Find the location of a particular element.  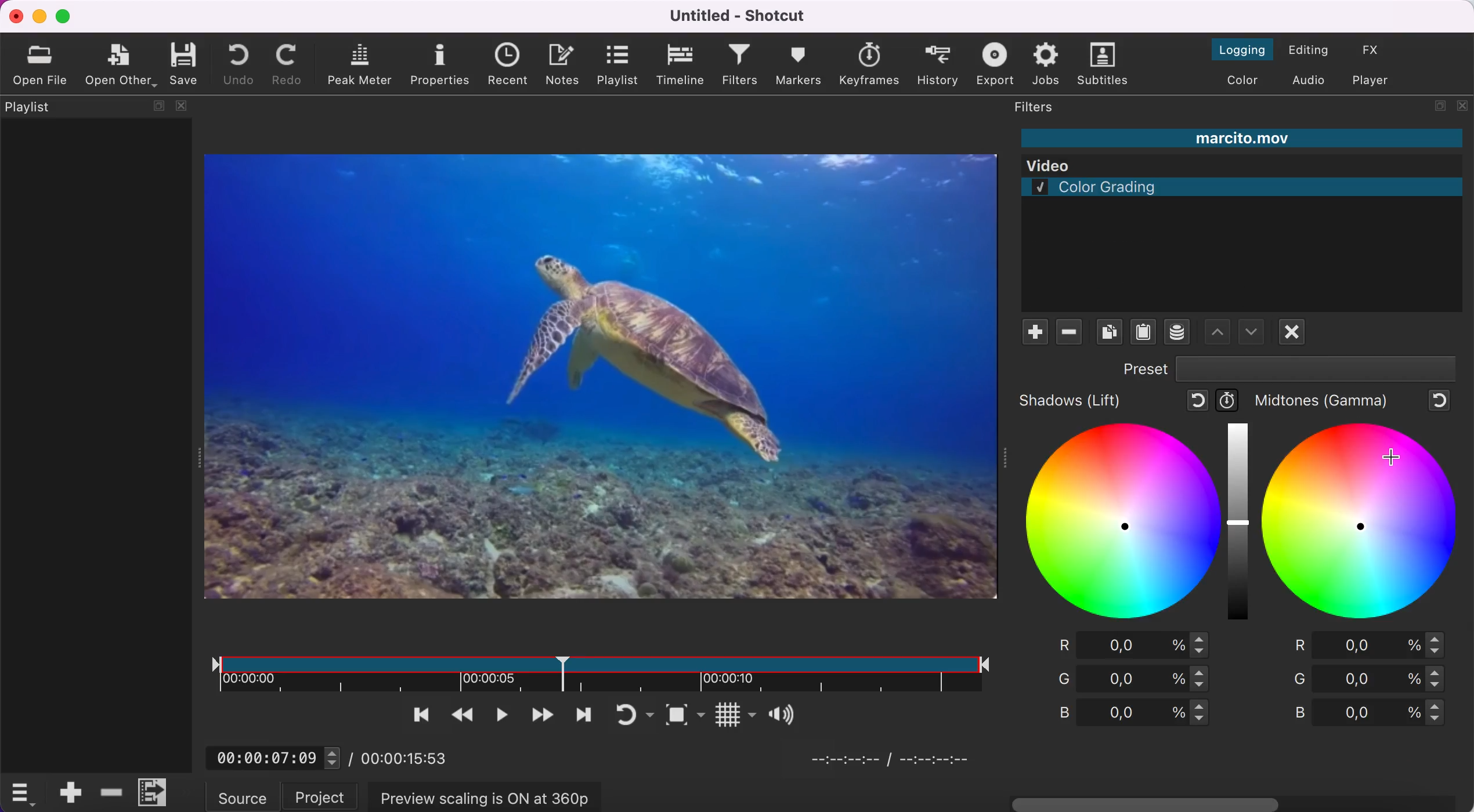

history is located at coordinates (939, 64).